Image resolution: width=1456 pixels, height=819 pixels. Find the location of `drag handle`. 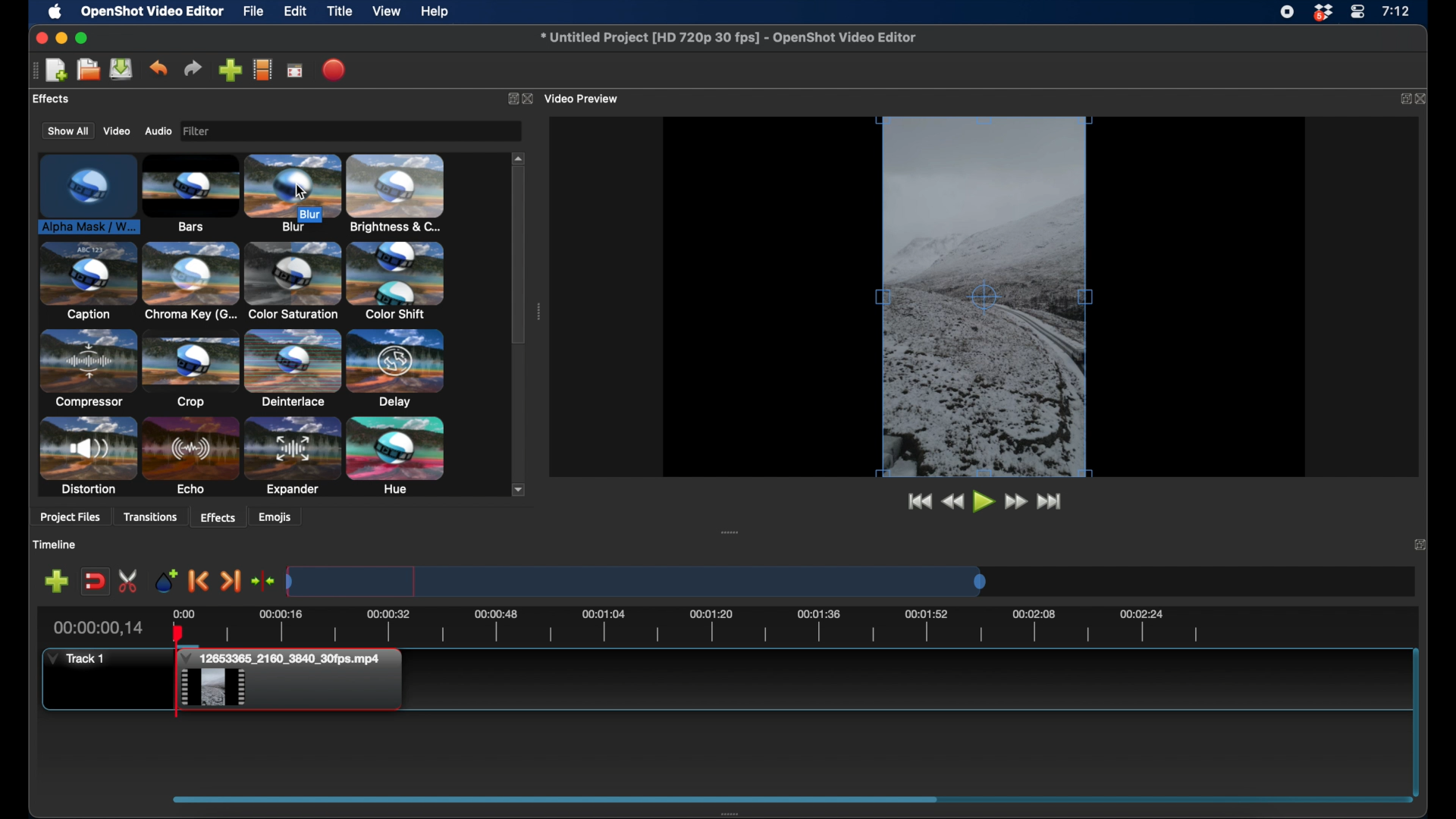

drag handle is located at coordinates (730, 532).